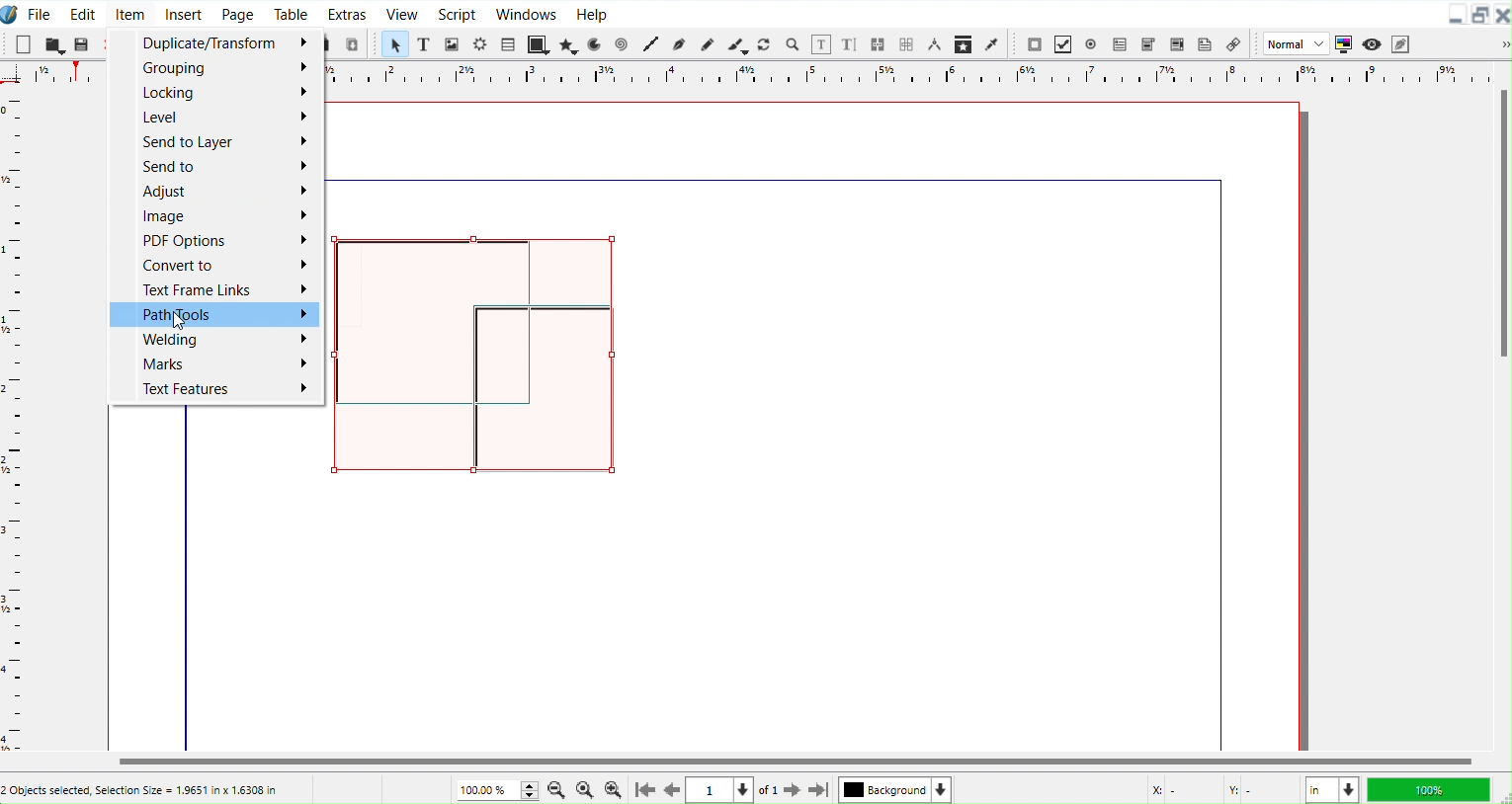  What do you see at coordinates (481, 44) in the screenshot?
I see `Render frame` at bounding box center [481, 44].